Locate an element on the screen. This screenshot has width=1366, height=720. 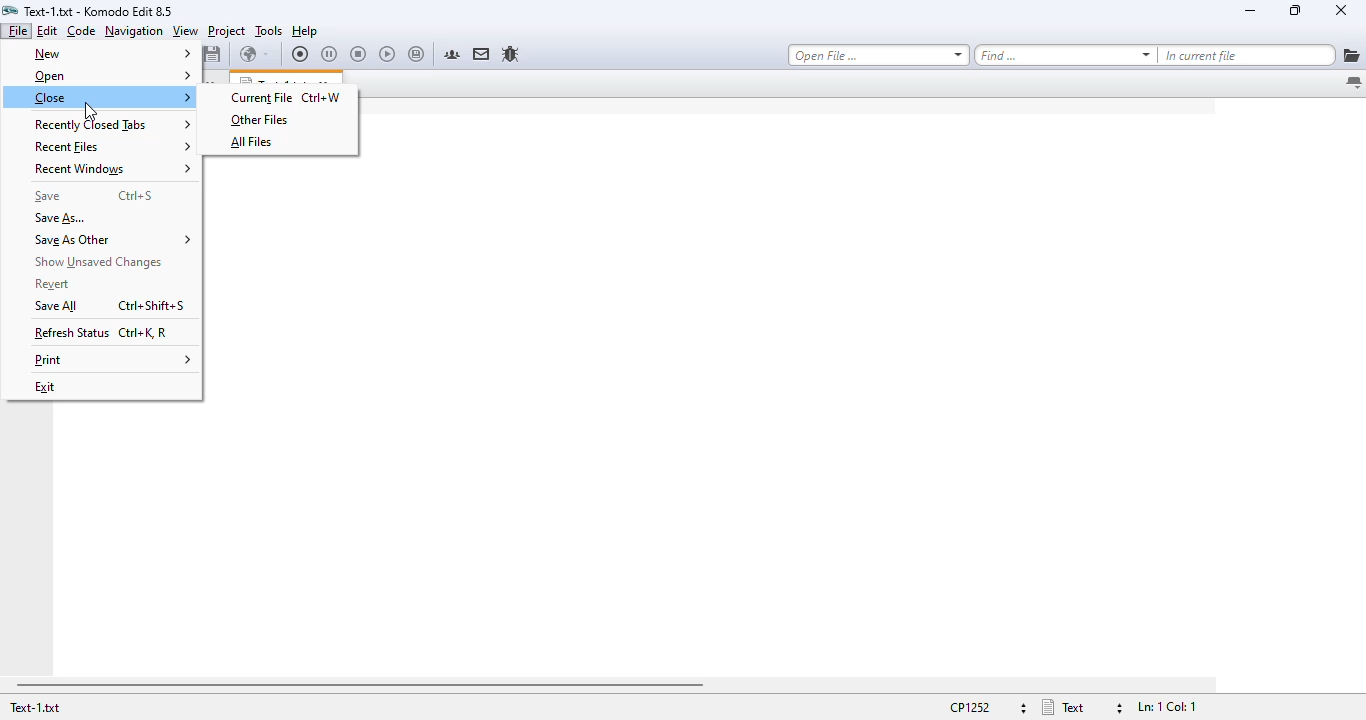
stop recording macro is located at coordinates (358, 55).